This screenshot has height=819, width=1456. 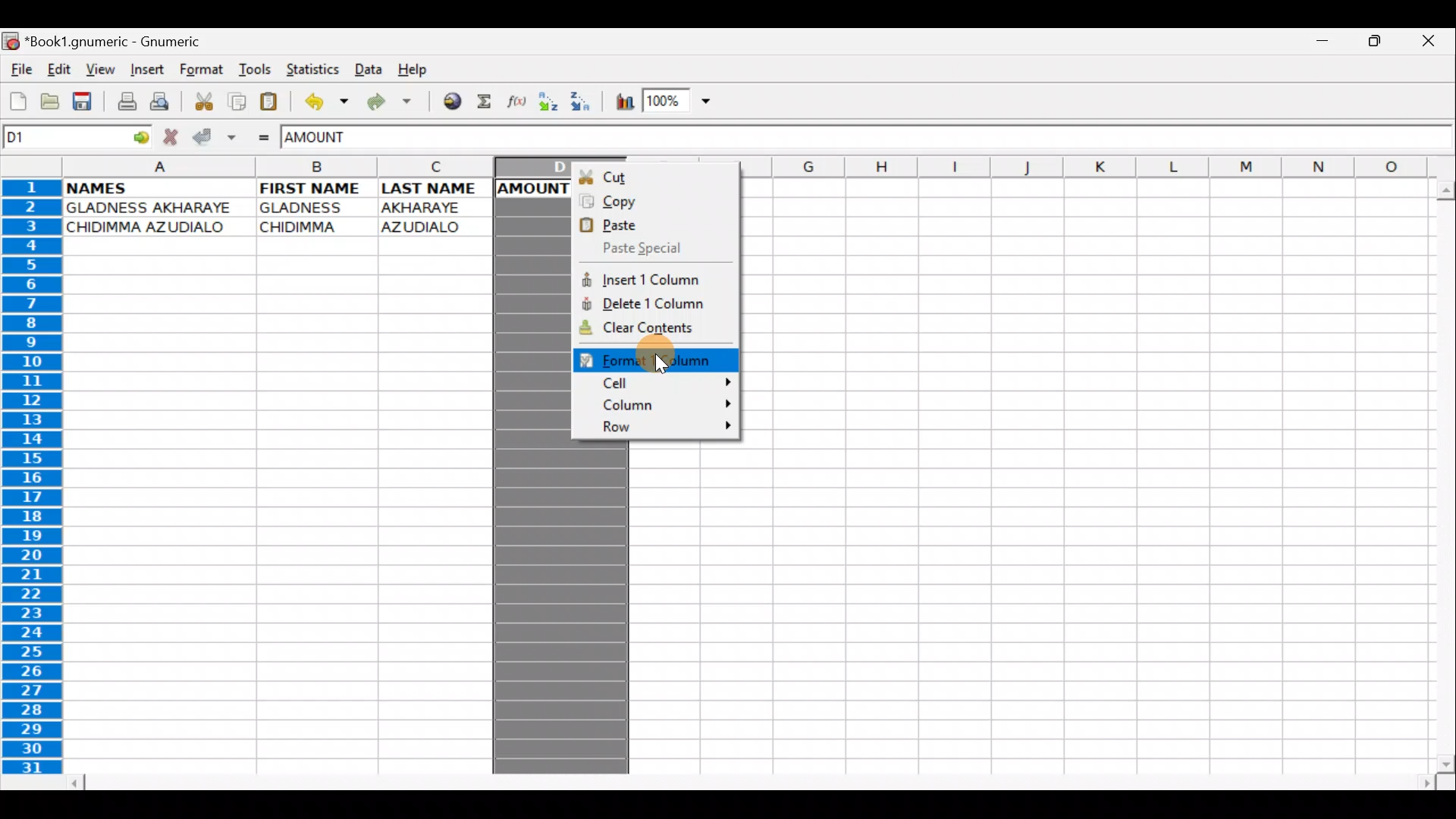 What do you see at coordinates (656, 173) in the screenshot?
I see `Cut` at bounding box center [656, 173].